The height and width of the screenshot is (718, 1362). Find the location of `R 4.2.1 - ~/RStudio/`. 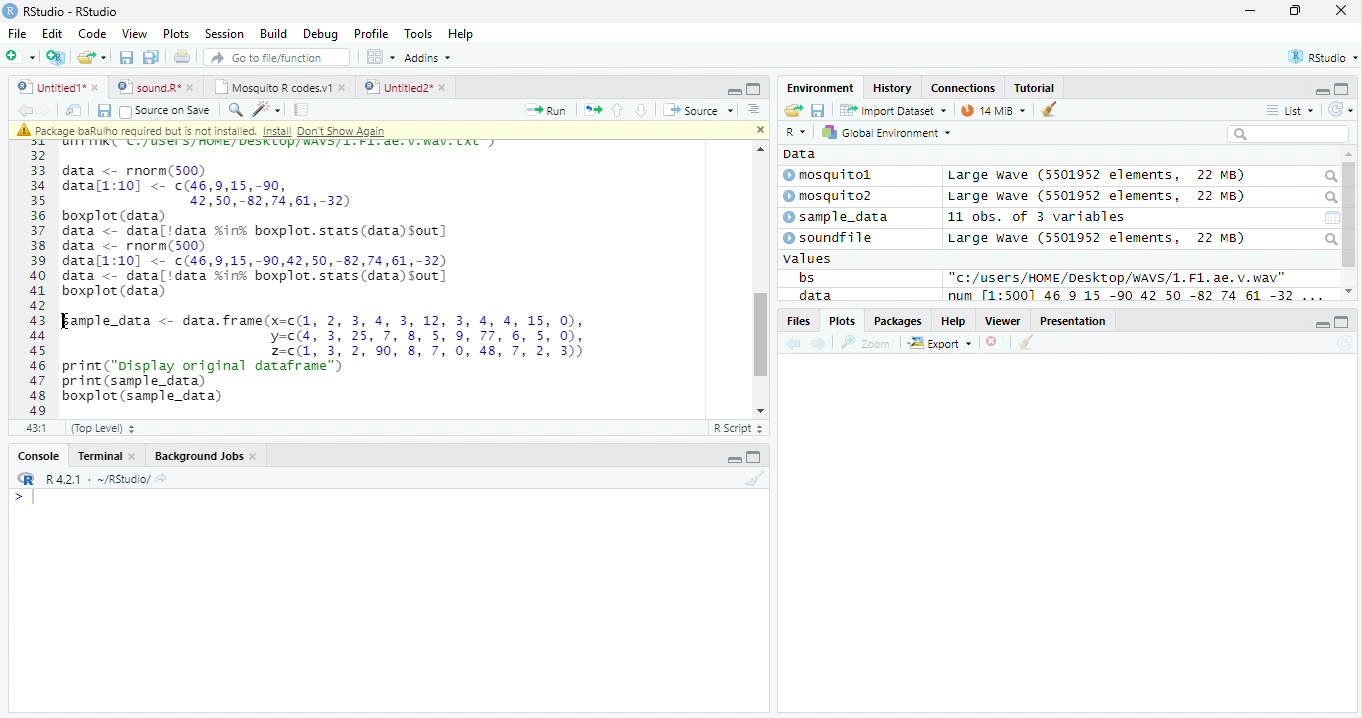

R 4.2.1 - ~/RStudio/ is located at coordinates (98, 481).